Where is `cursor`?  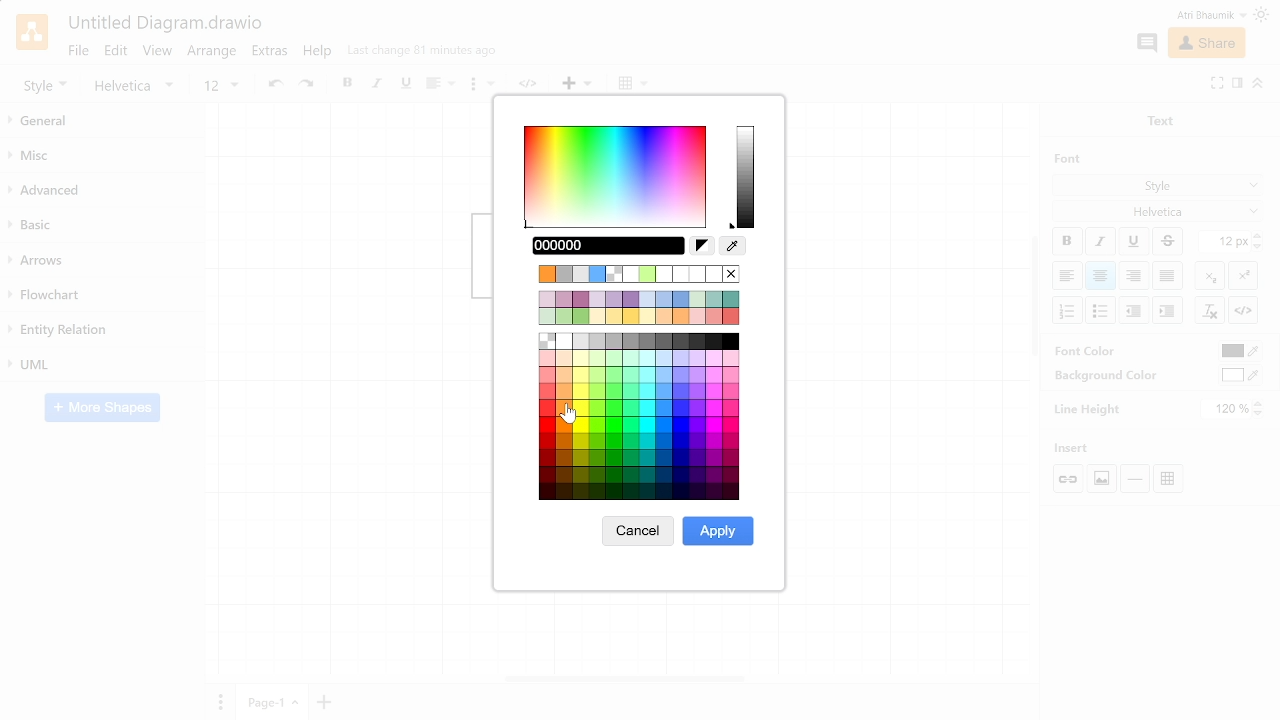
cursor is located at coordinates (566, 419).